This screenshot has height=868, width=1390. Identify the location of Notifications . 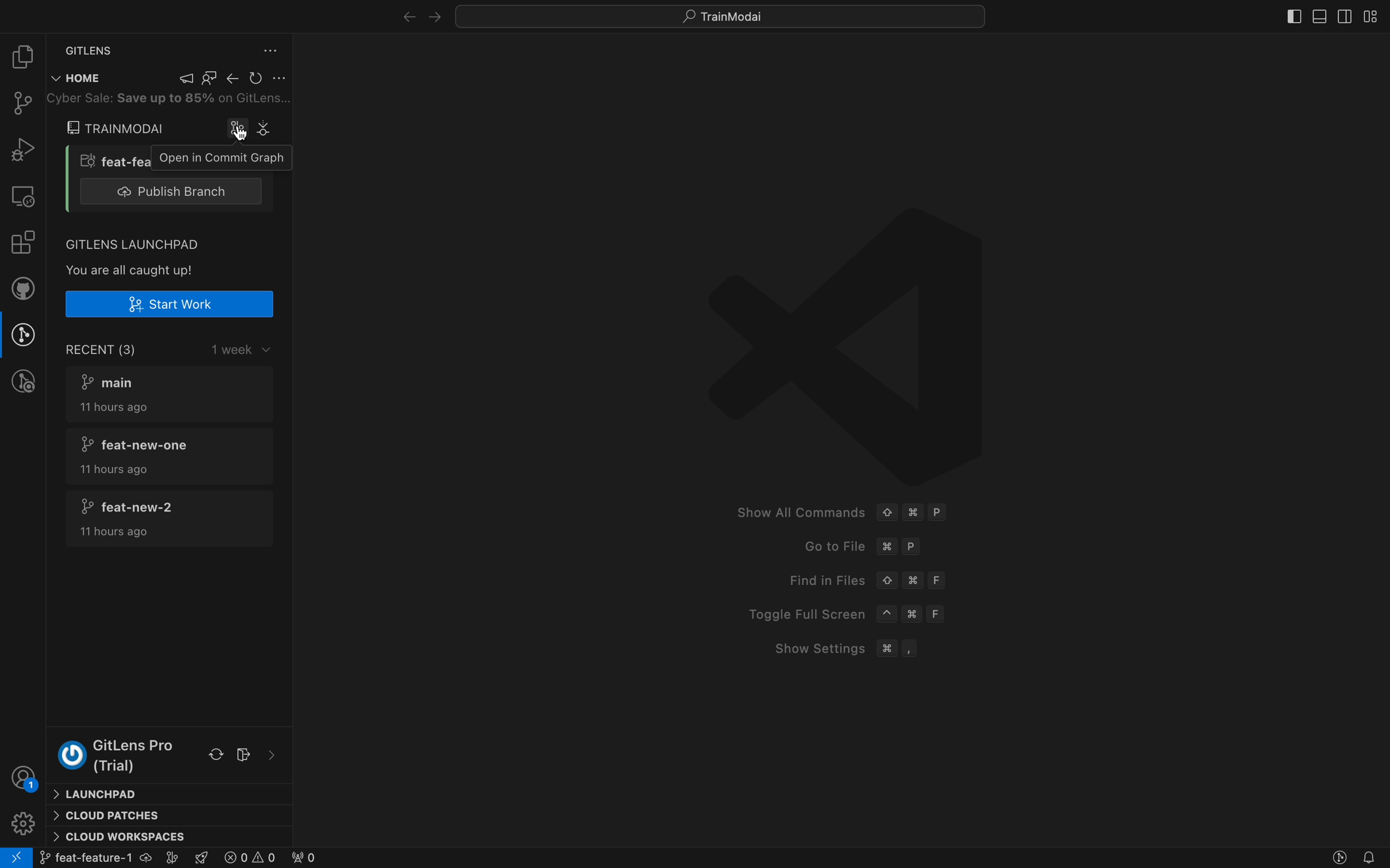
(1370, 857).